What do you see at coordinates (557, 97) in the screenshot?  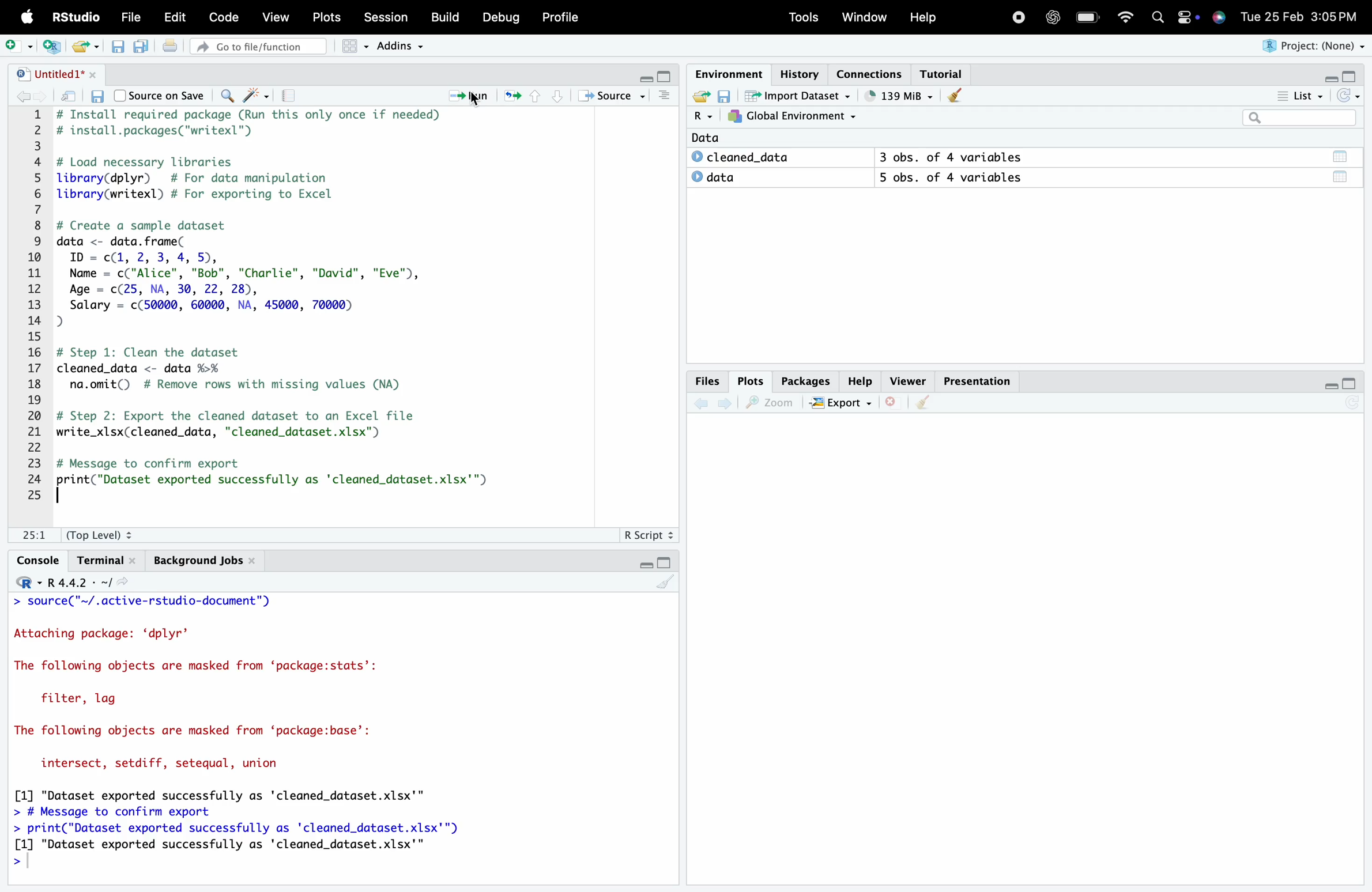 I see `Go to next section/chunk (Ctrl + pgDn)` at bounding box center [557, 97].